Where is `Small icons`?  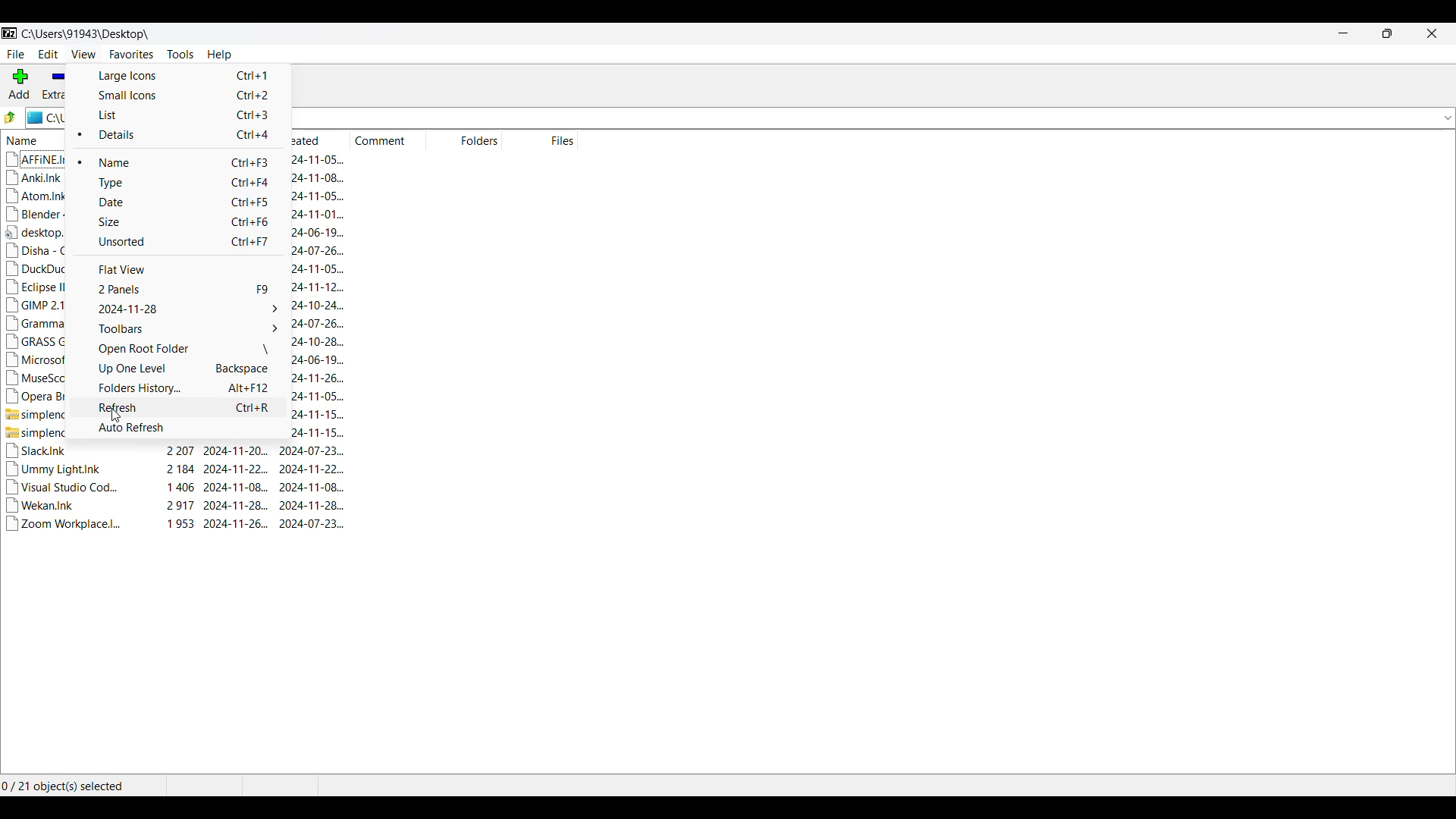
Small icons is located at coordinates (180, 96).